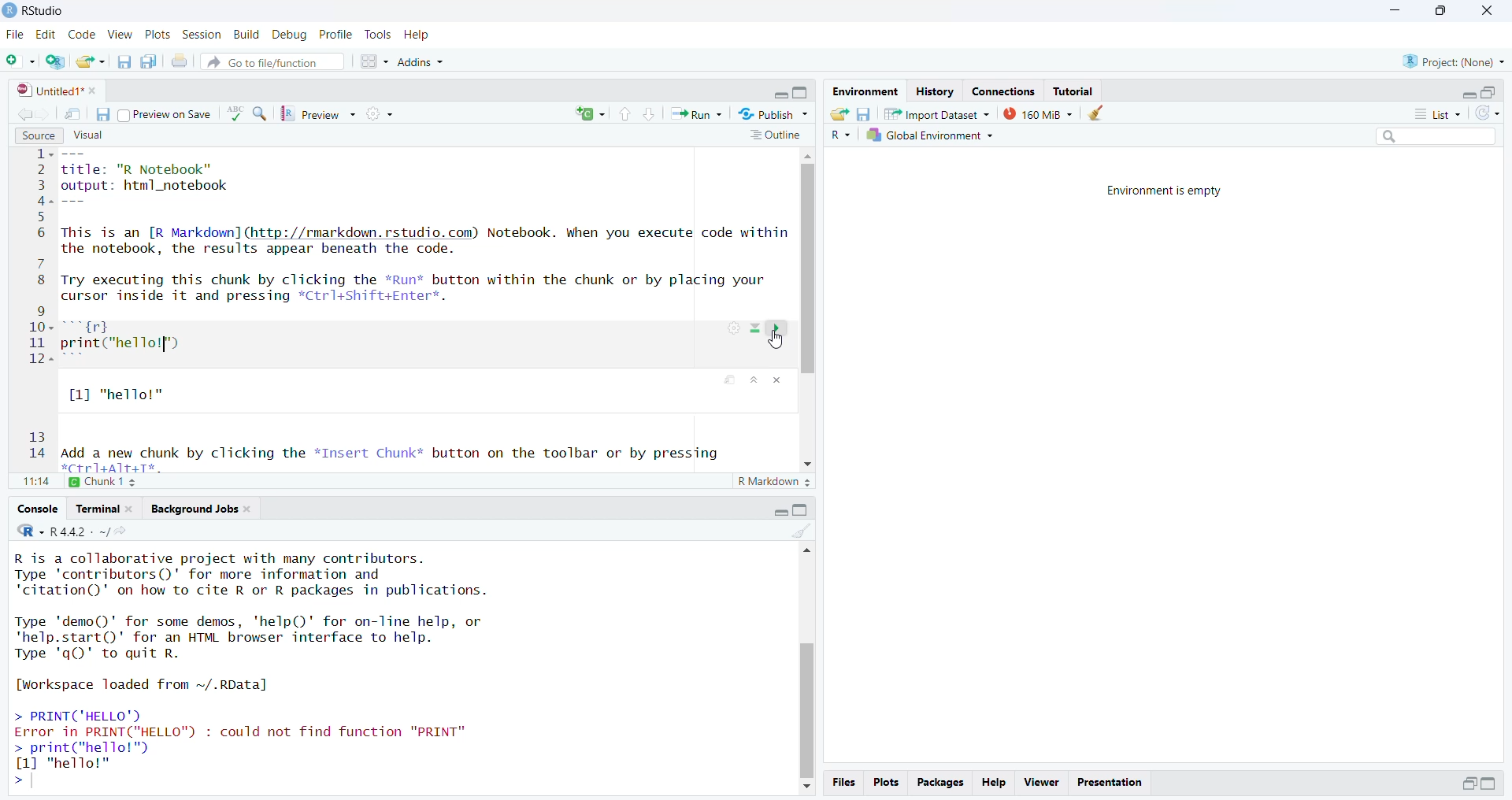  What do you see at coordinates (337, 35) in the screenshot?
I see `profile` at bounding box center [337, 35].